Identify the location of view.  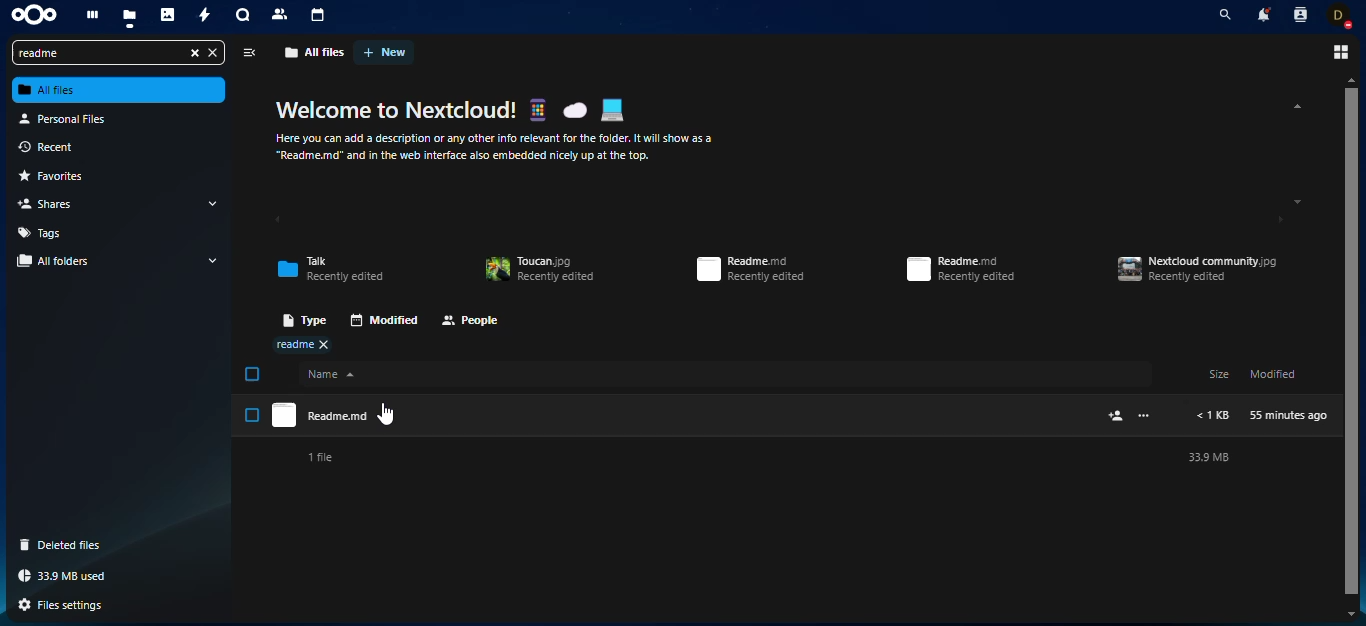
(248, 53).